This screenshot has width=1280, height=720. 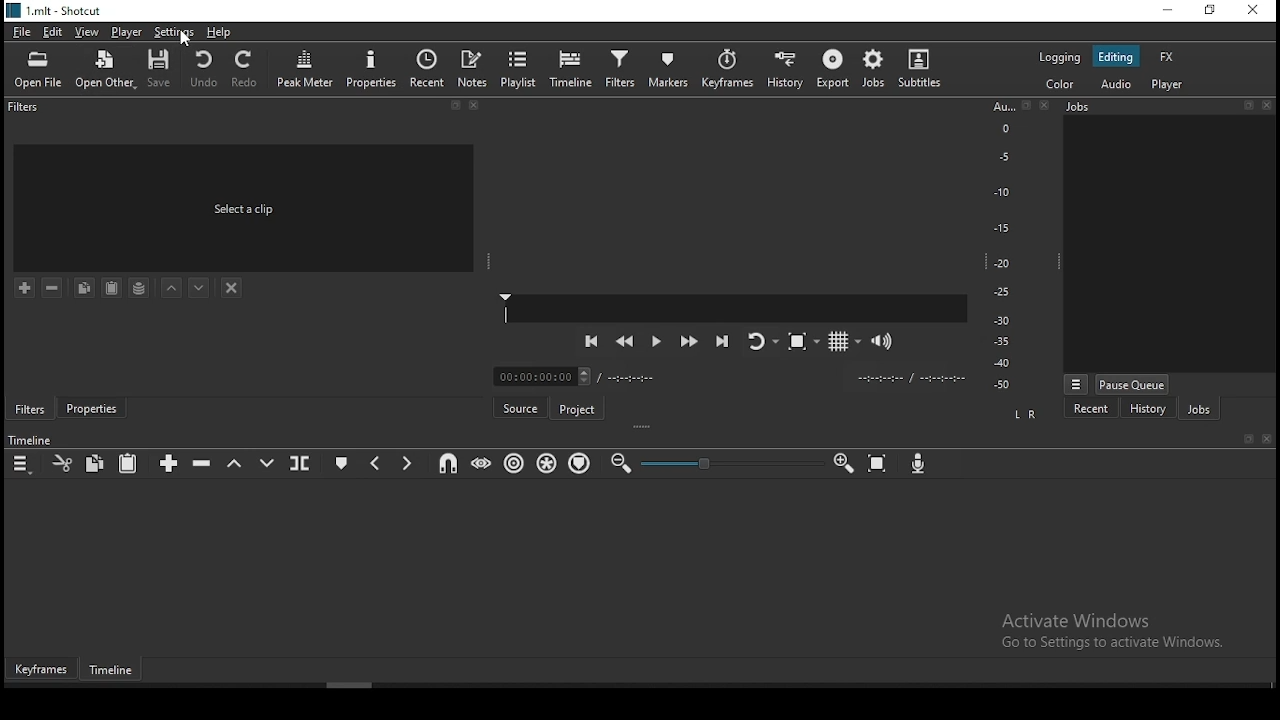 What do you see at coordinates (579, 406) in the screenshot?
I see `project` at bounding box center [579, 406].